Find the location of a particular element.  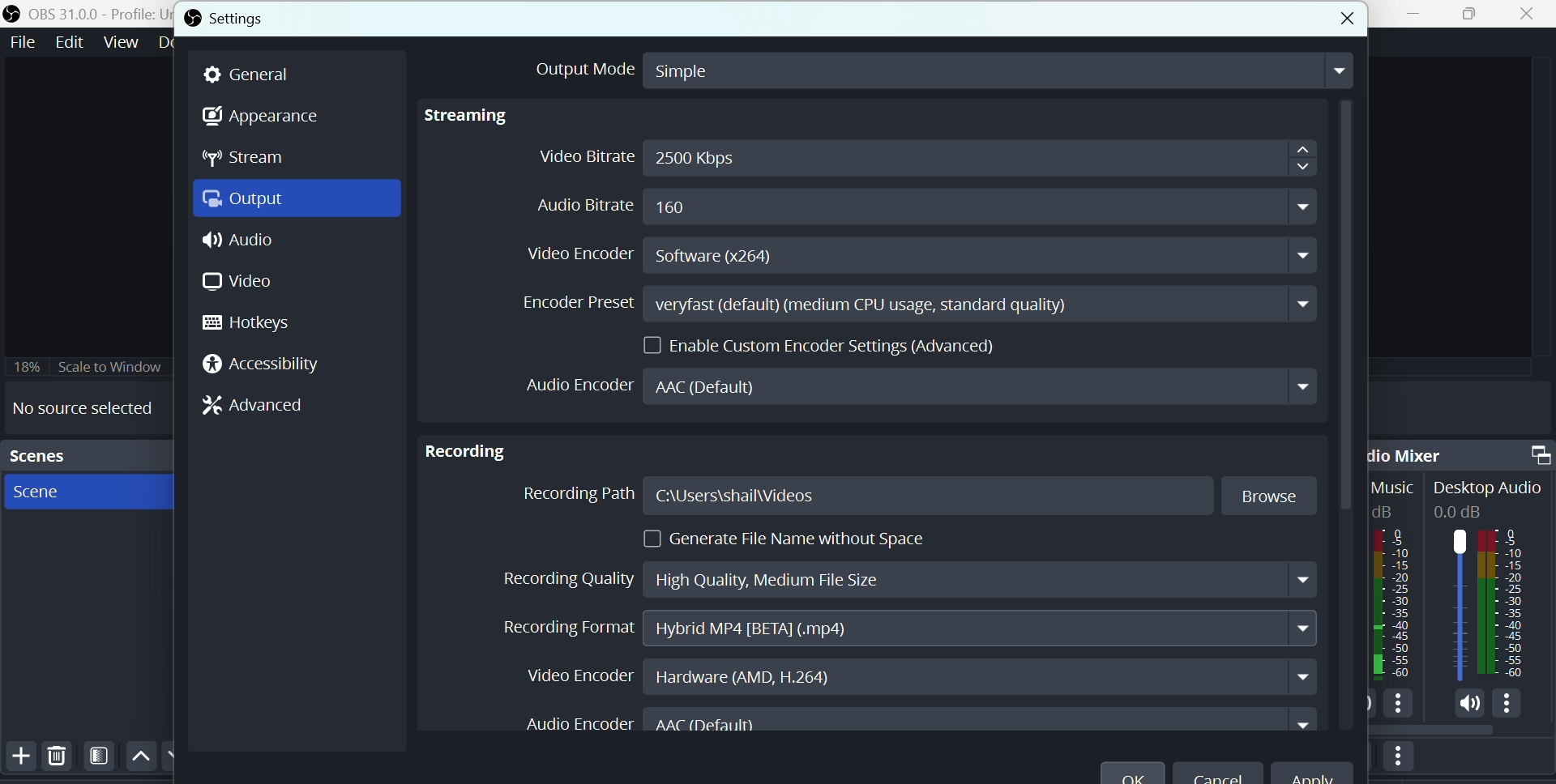

OBS 31.0 .0 profile untitled scenes new scene is located at coordinates (83, 14).